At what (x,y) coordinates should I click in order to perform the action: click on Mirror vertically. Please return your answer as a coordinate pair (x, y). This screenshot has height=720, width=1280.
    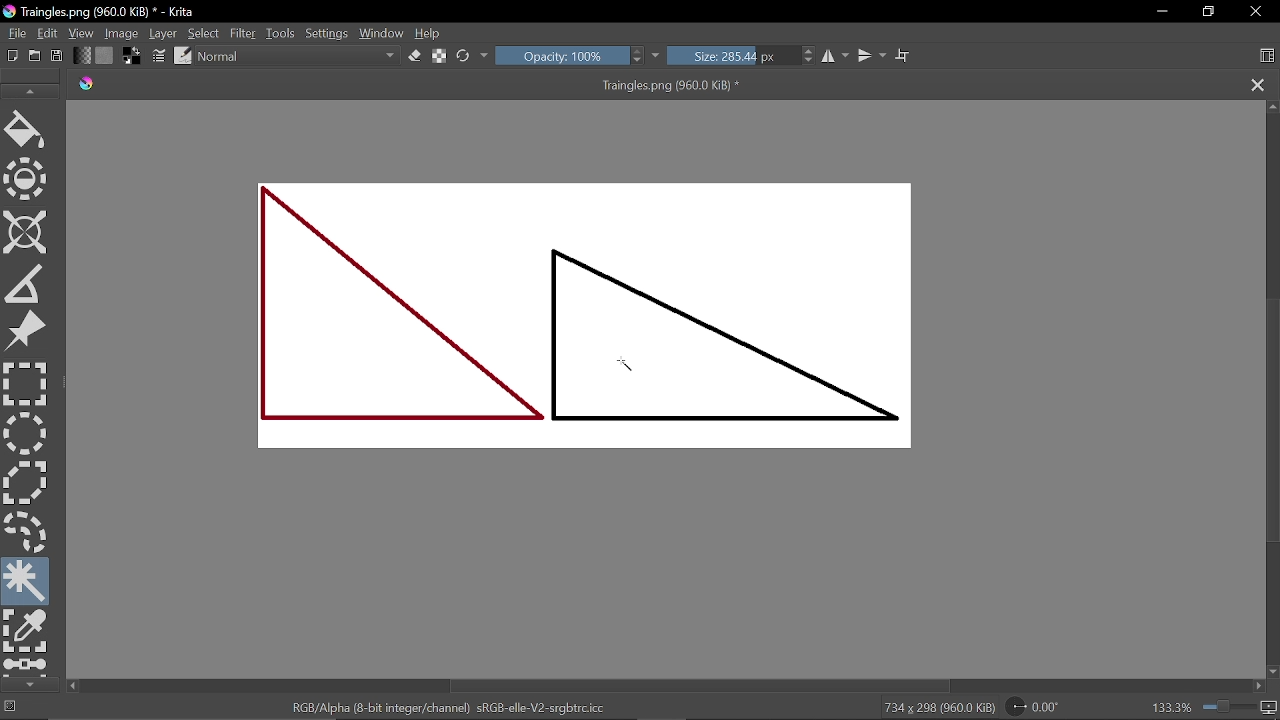
    Looking at the image, I should click on (870, 56).